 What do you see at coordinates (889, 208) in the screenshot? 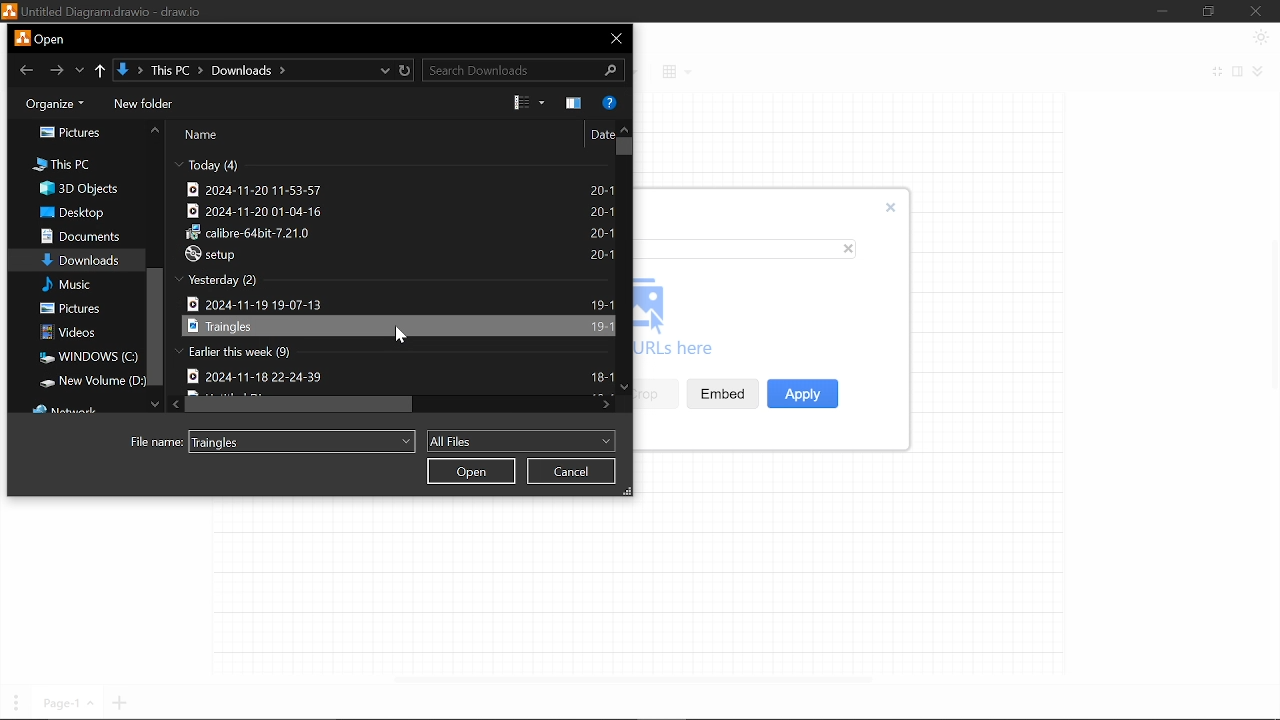
I see `Close` at bounding box center [889, 208].